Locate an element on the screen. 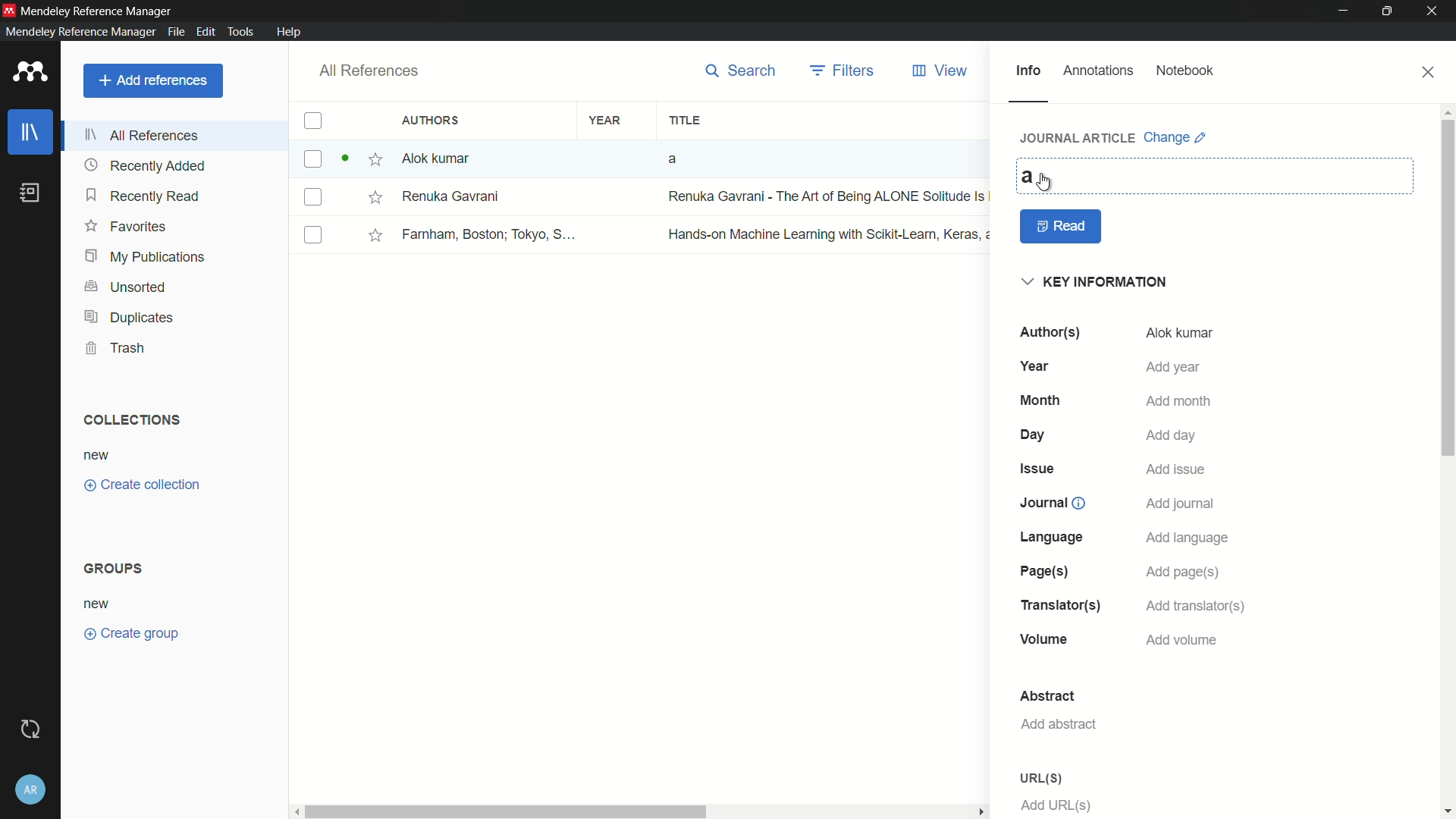 Image resolution: width=1456 pixels, height=819 pixels. key information is located at coordinates (1097, 283).